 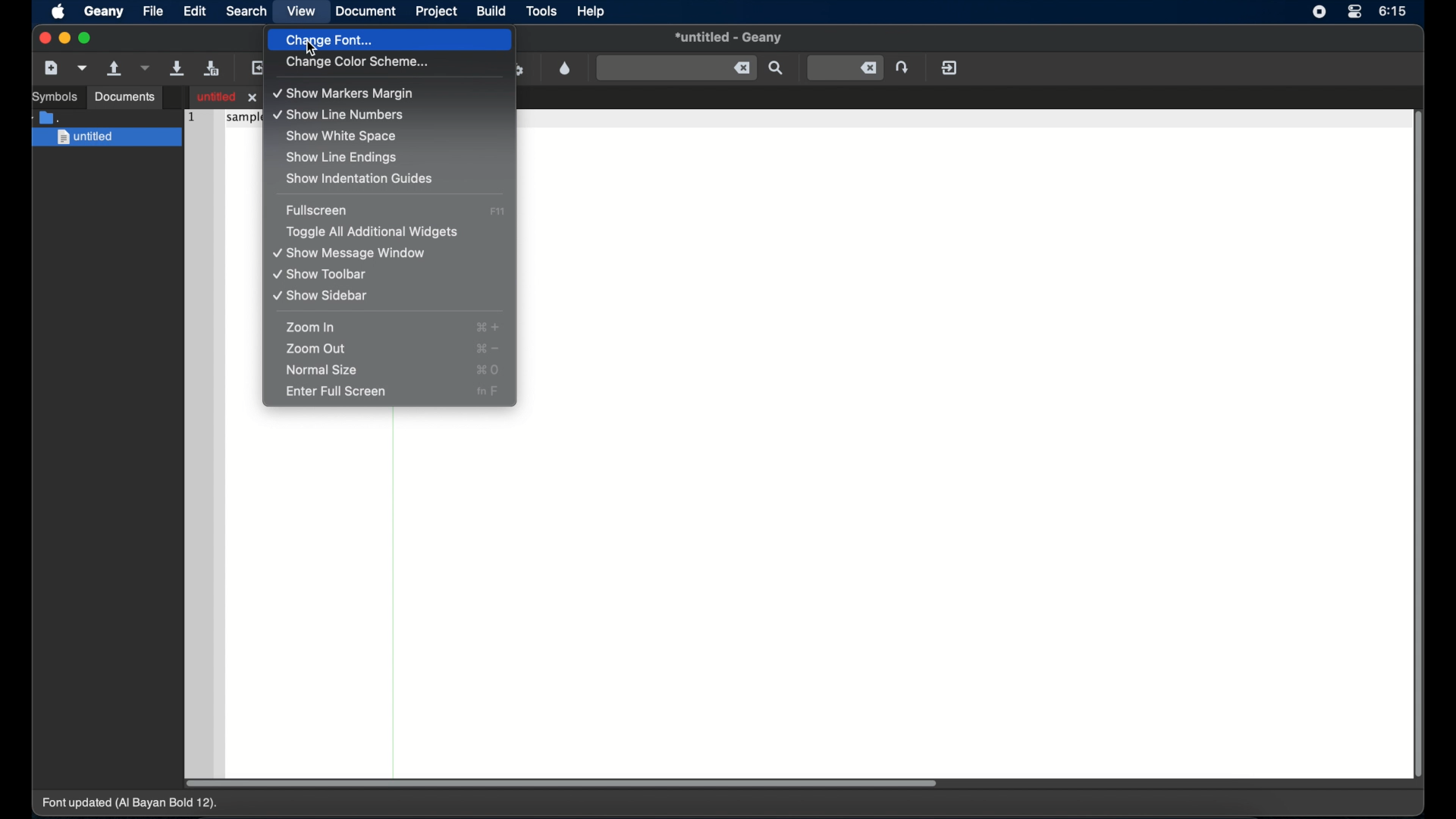 I want to click on show indentation guides, so click(x=359, y=179).